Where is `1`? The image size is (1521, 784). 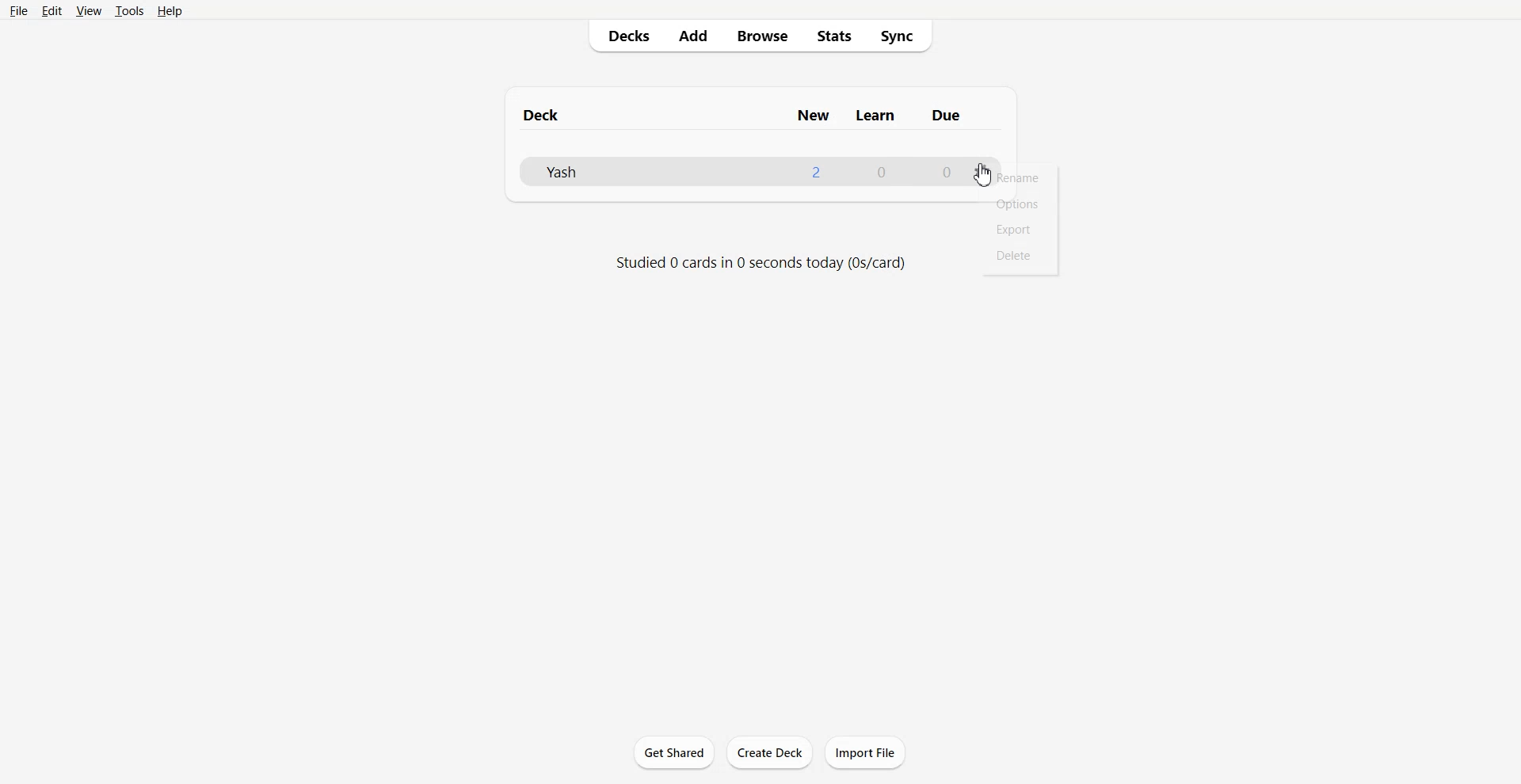
1 is located at coordinates (814, 171).